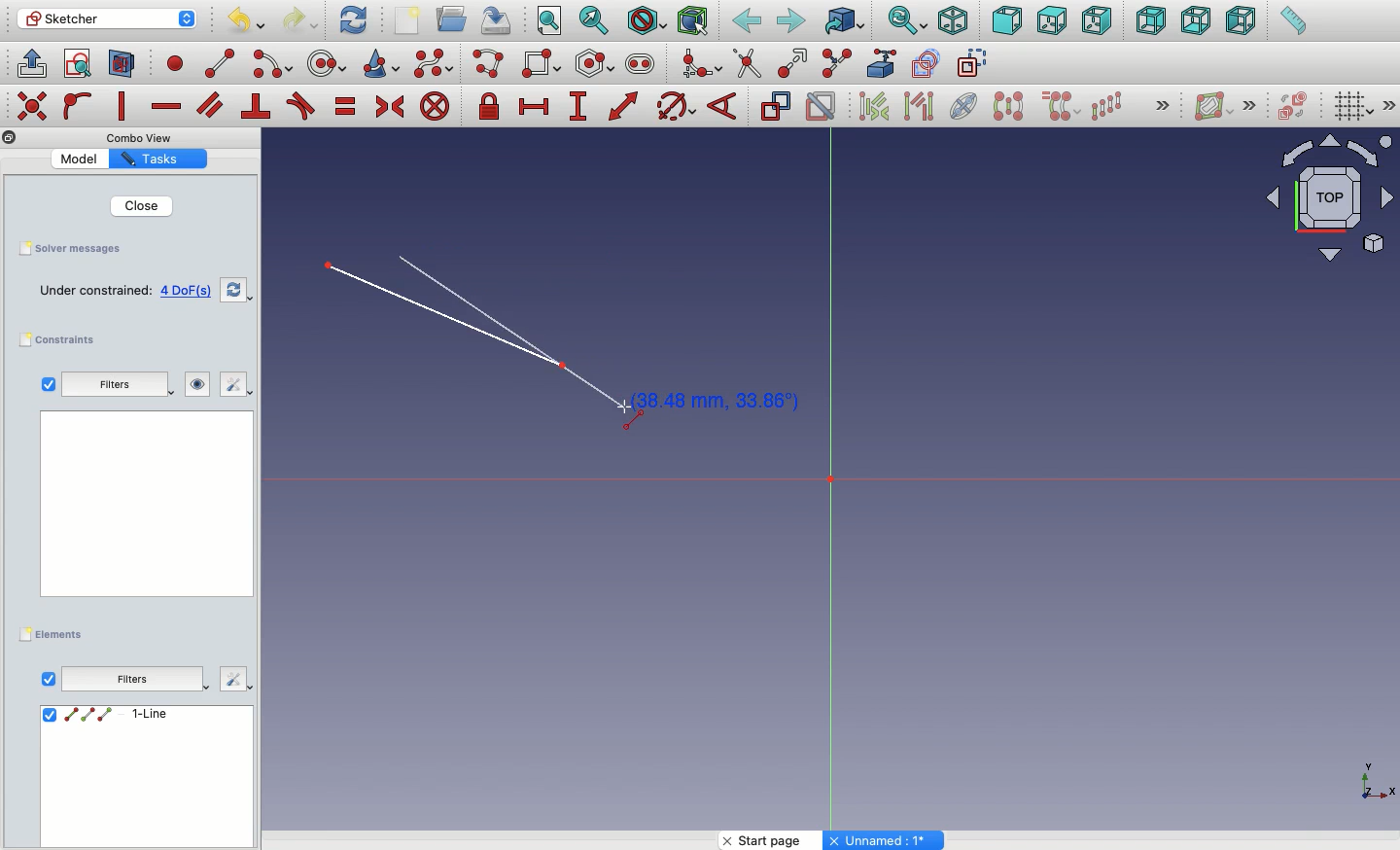 Image resolution: width=1400 pixels, height=850 pixels. Describe the element at coordinates (108, 19) in the screenshot. I see `Sketcher` at that location.